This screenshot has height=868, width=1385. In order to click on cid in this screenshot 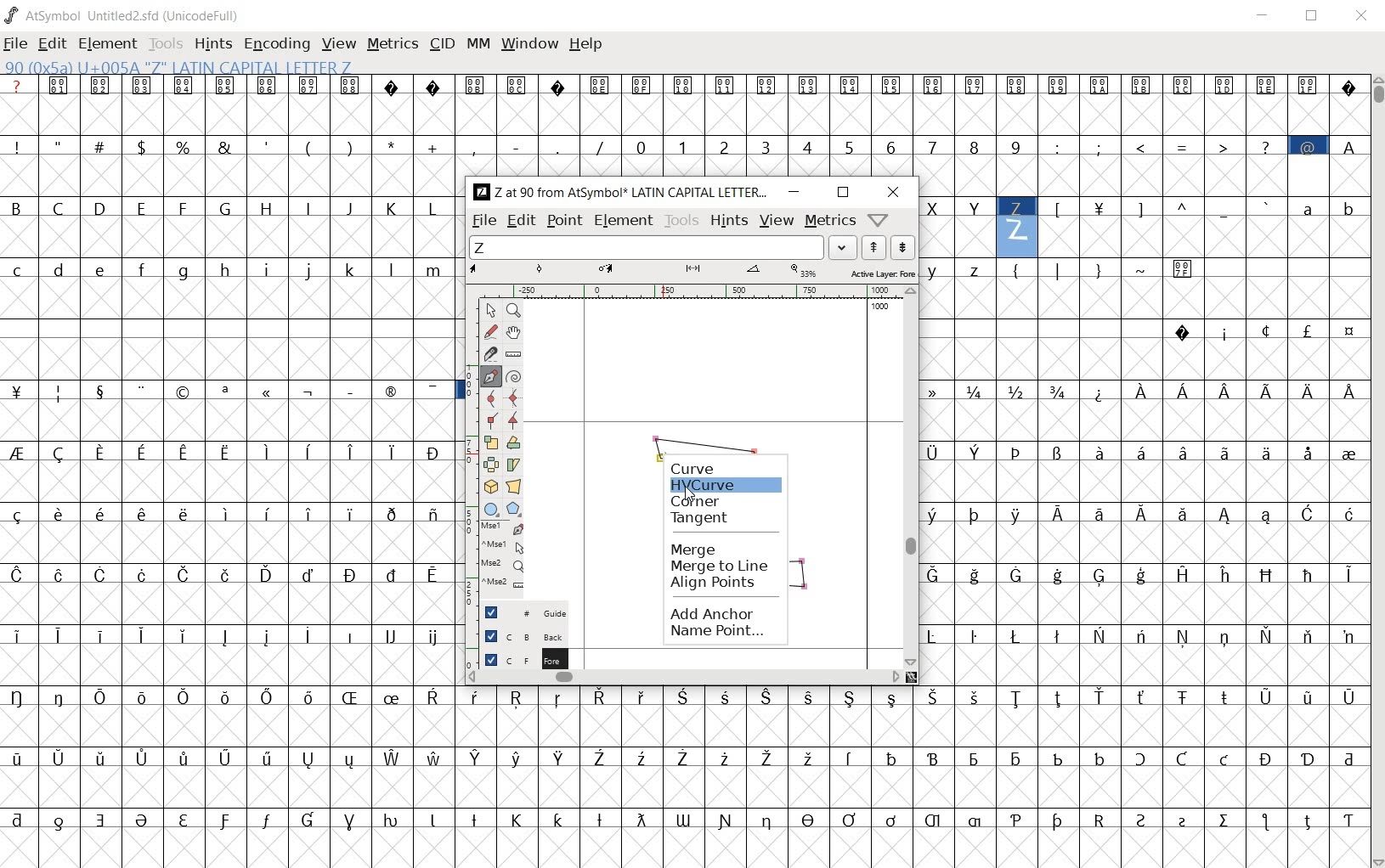, I will do `click(442, 43)`.